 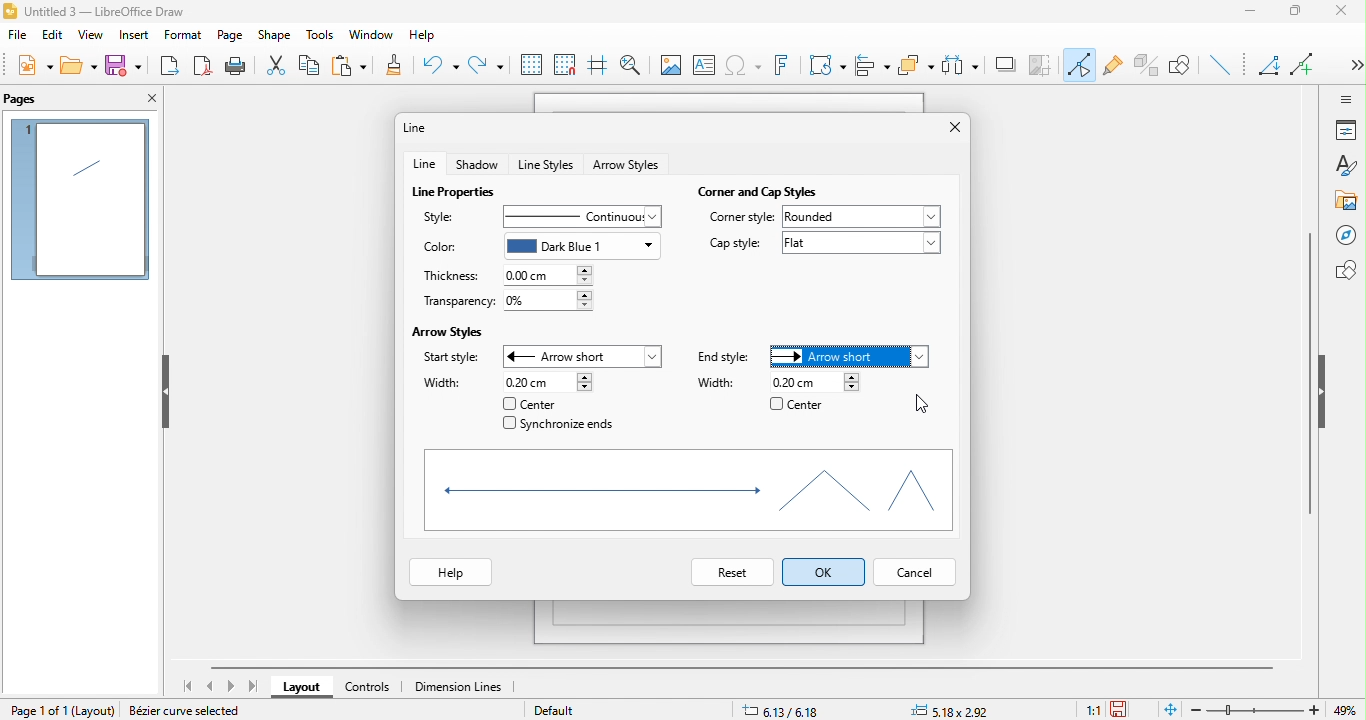 What do you see at coordinates (630, 62) in the screenshot?
I see `zoom and pan` at bounding box center [630, 62].